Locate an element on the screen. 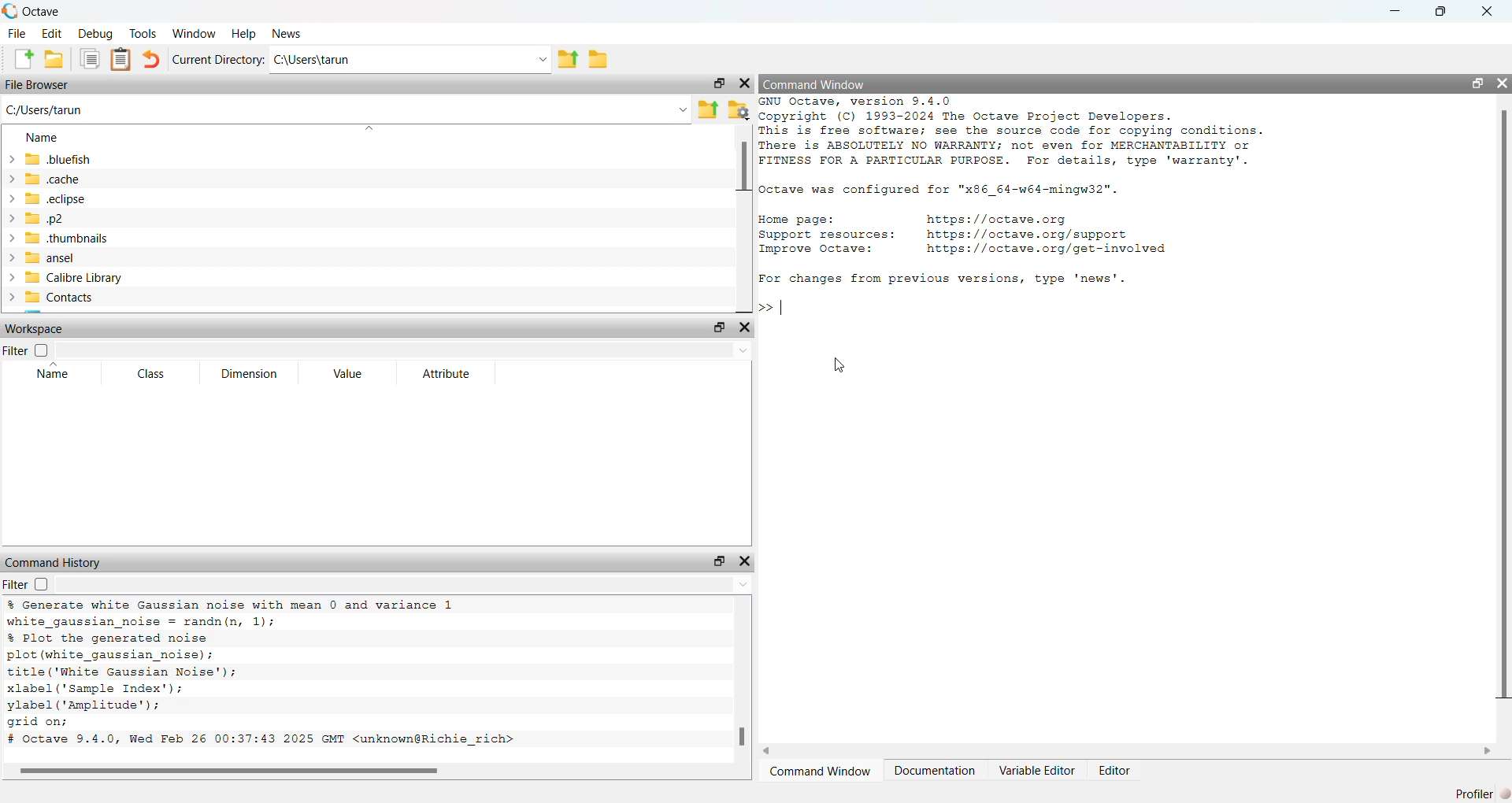  Help is located at coordinates (243, 35).